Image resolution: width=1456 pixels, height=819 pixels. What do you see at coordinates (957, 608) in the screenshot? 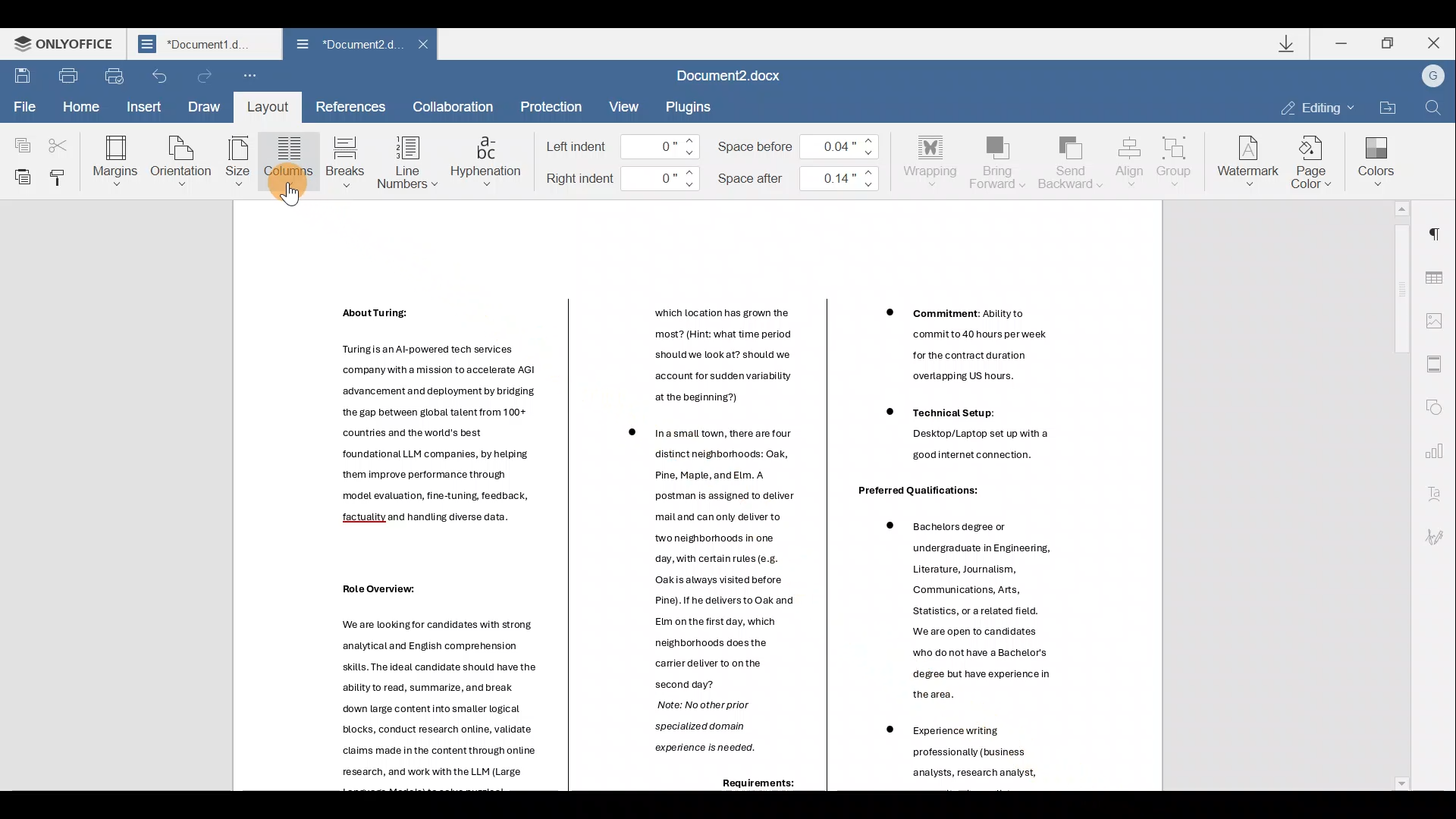
I see `` at bounding box center [957, 608].